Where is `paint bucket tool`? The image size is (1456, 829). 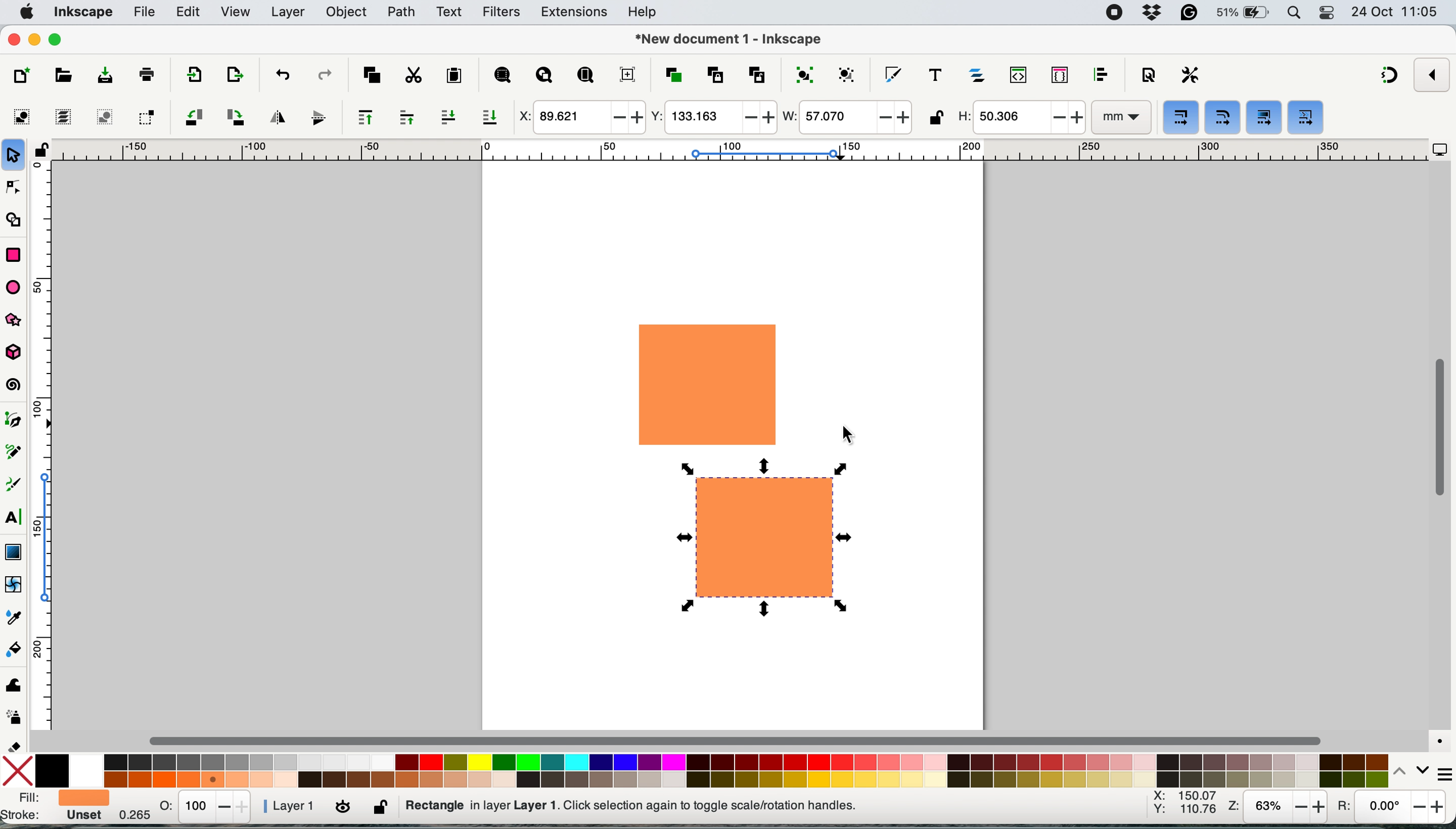
paint bucket tool is located at coordinates (16, 651).